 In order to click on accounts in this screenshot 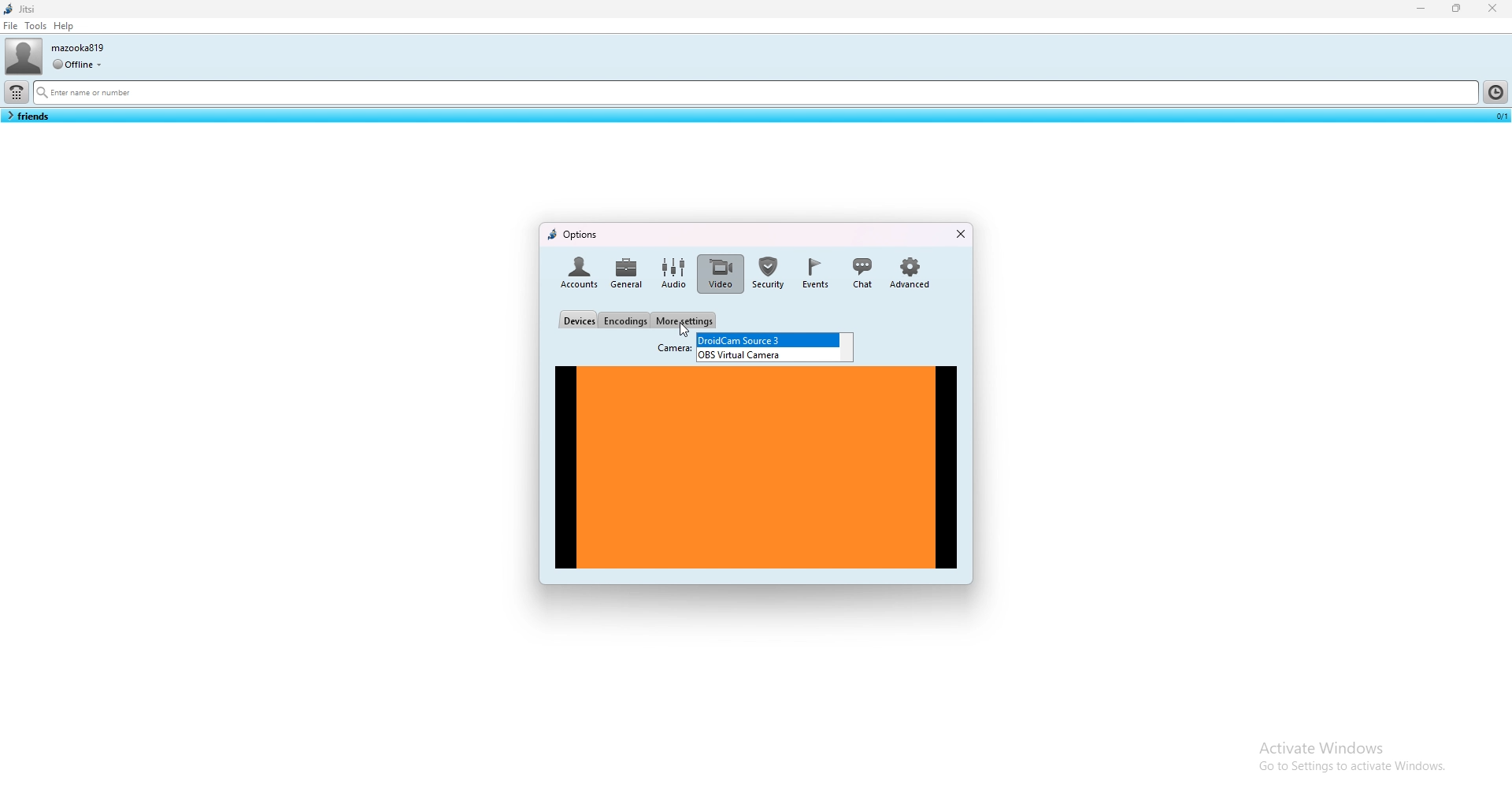, I will do `click(577, 274)`.